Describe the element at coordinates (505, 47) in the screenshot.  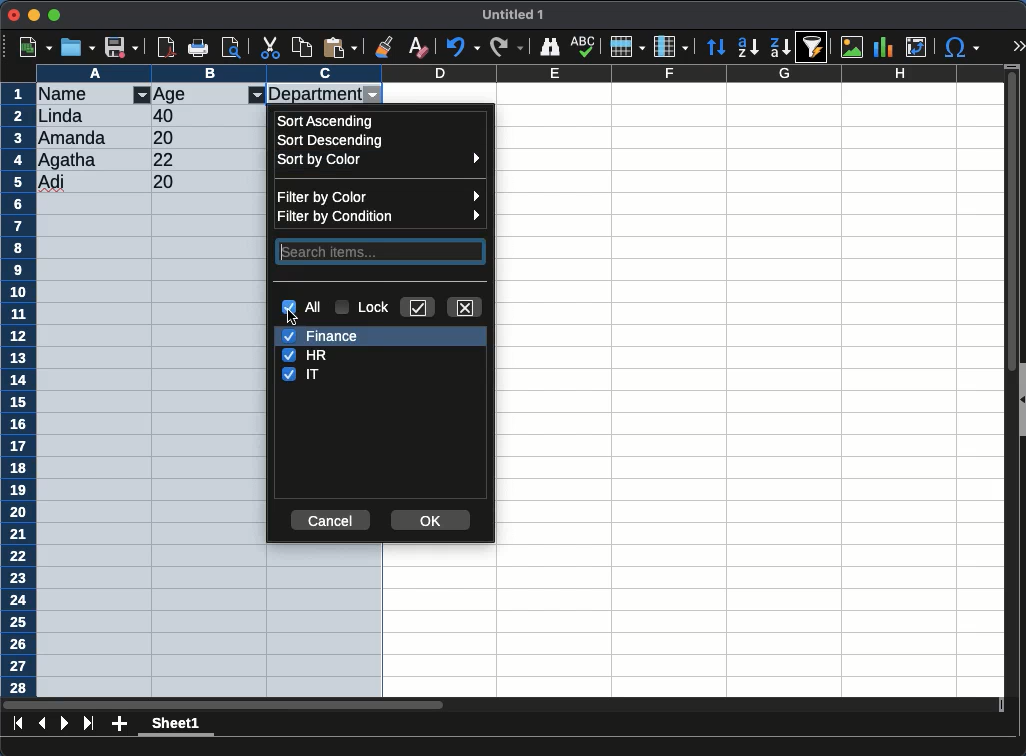
I see `redo` at that location.